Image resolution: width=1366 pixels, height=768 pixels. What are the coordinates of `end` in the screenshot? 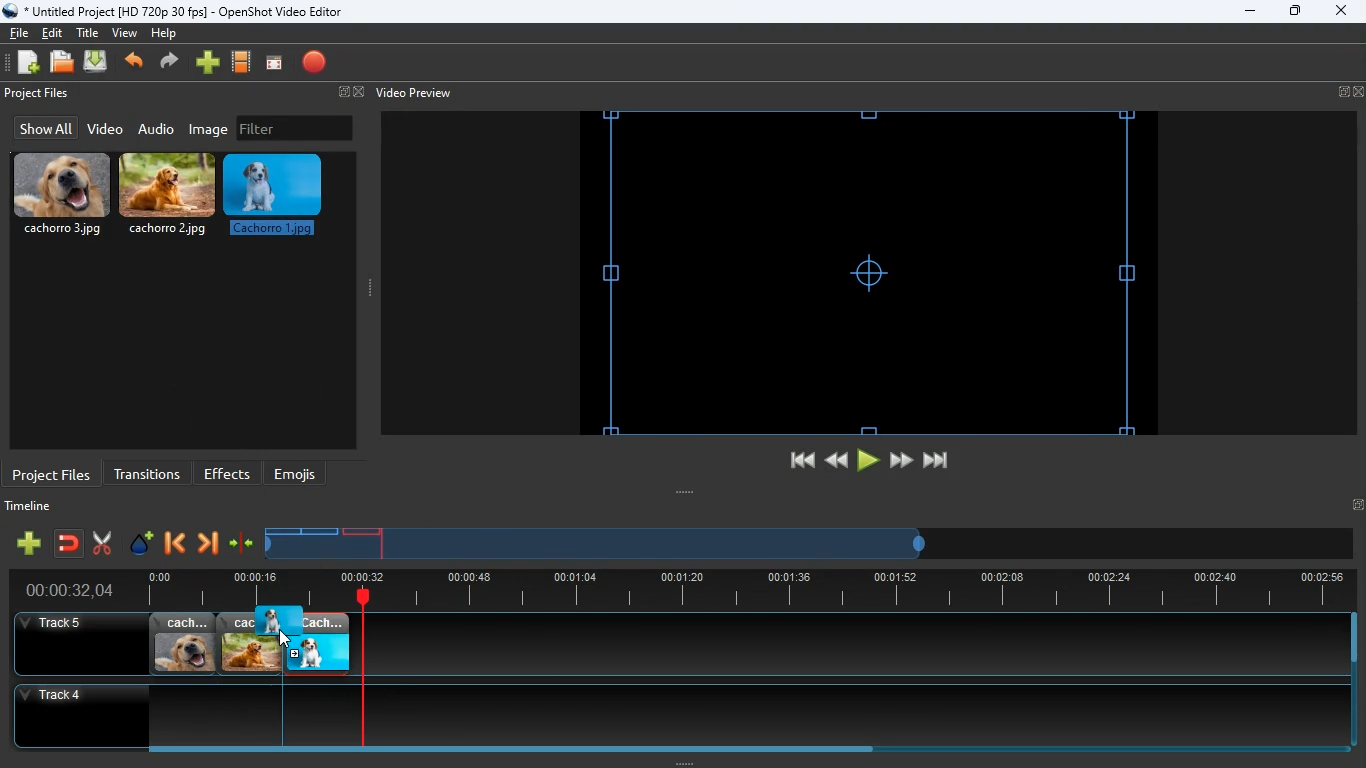 It's located at (938, 464).